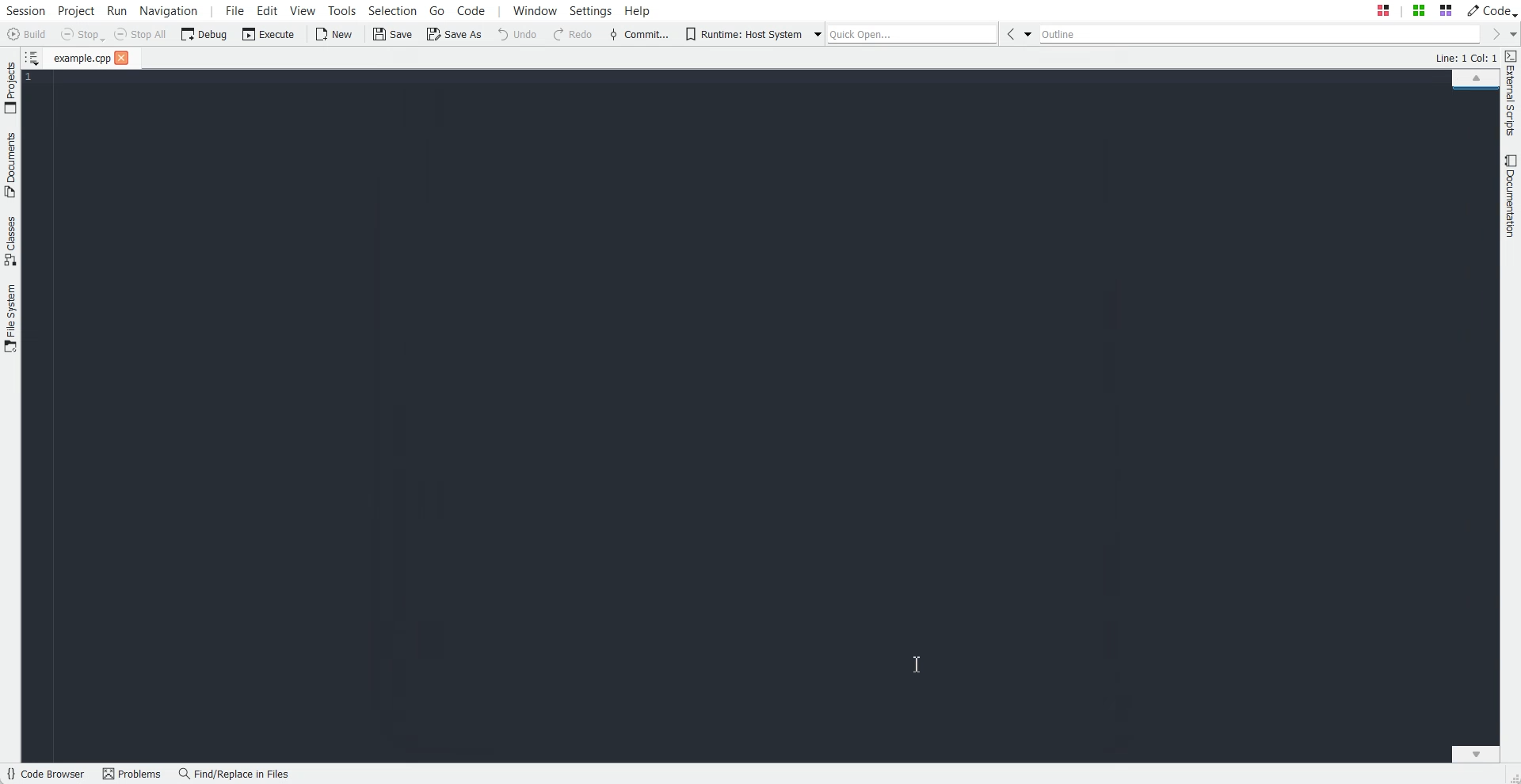  What do you see at coordinates (1511, 93) in the screenshot?
I see `External Scripts` at bounding box center [1511, 93].